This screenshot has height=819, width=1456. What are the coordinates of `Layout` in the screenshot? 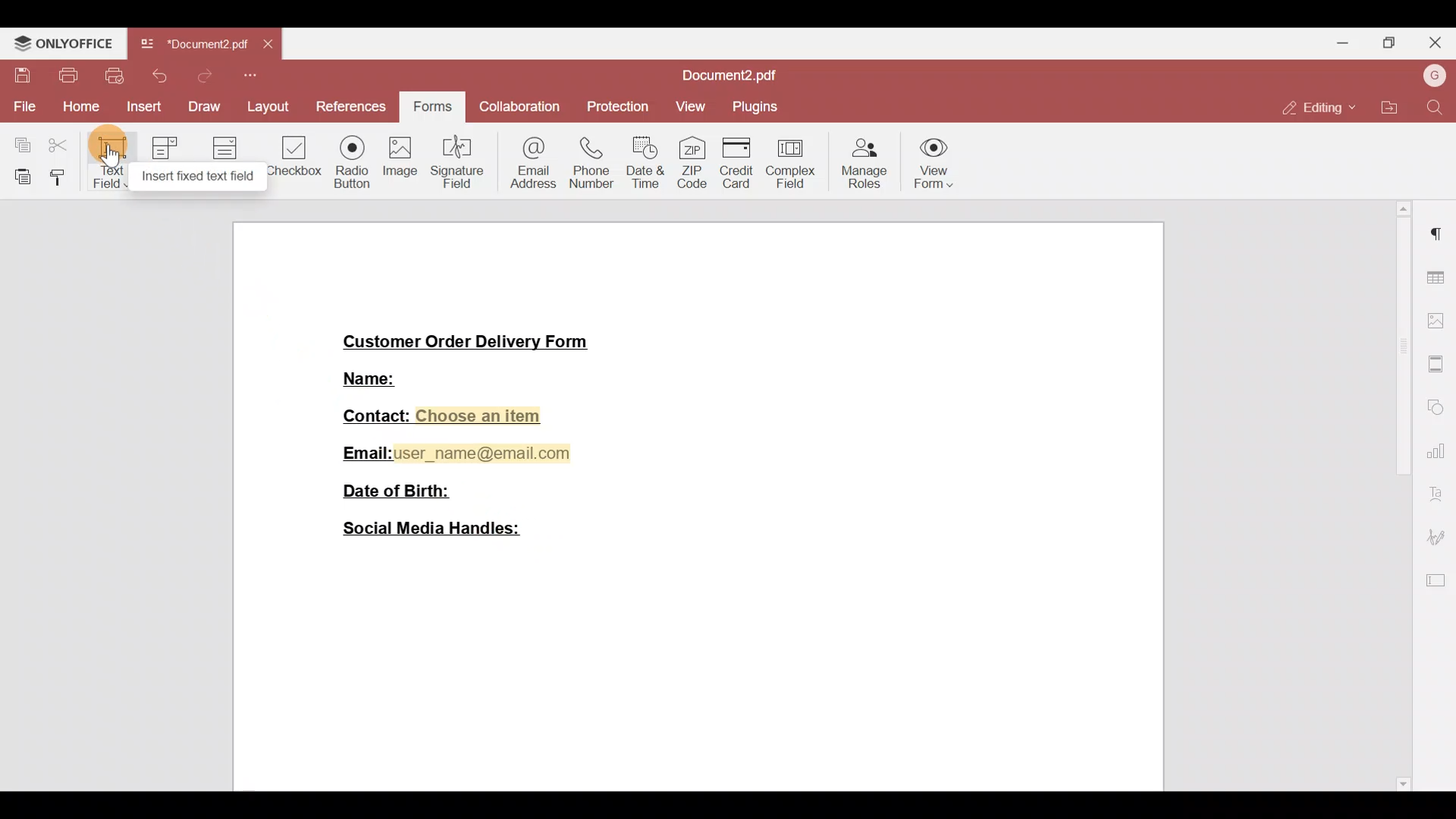 It's located at (266, 105).